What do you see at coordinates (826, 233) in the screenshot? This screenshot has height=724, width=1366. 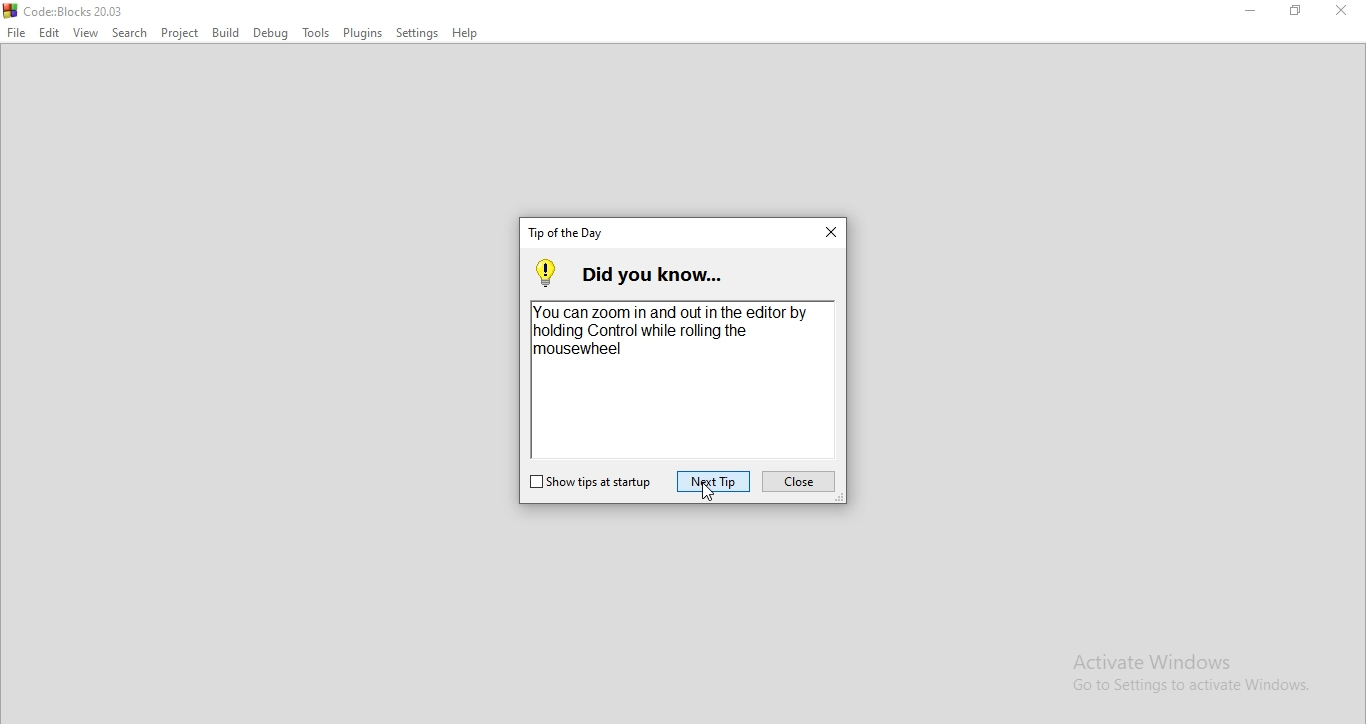 I see `close` at bounding box center [826, 233].